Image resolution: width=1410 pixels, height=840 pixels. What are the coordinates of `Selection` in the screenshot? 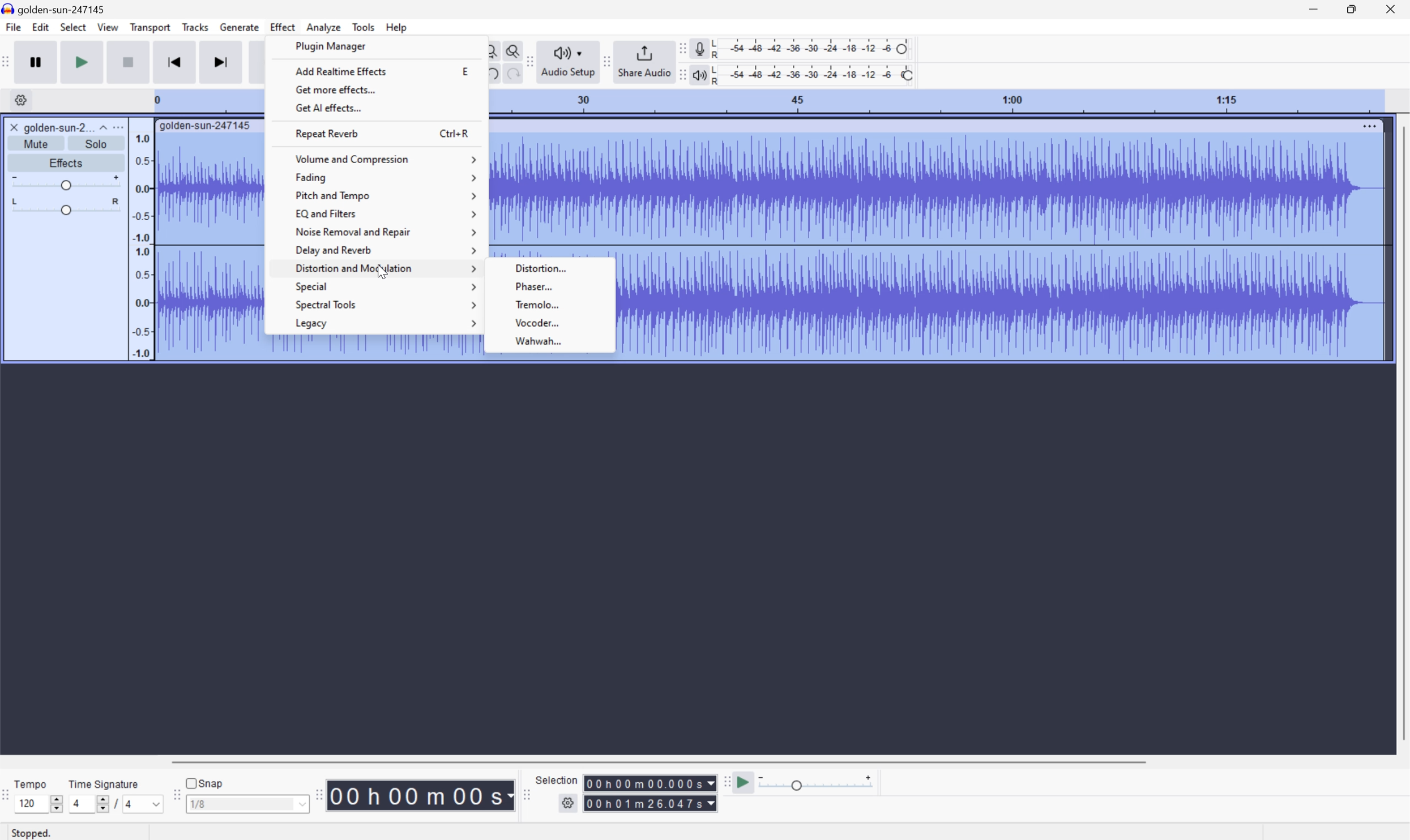 It's located at (649, 783).